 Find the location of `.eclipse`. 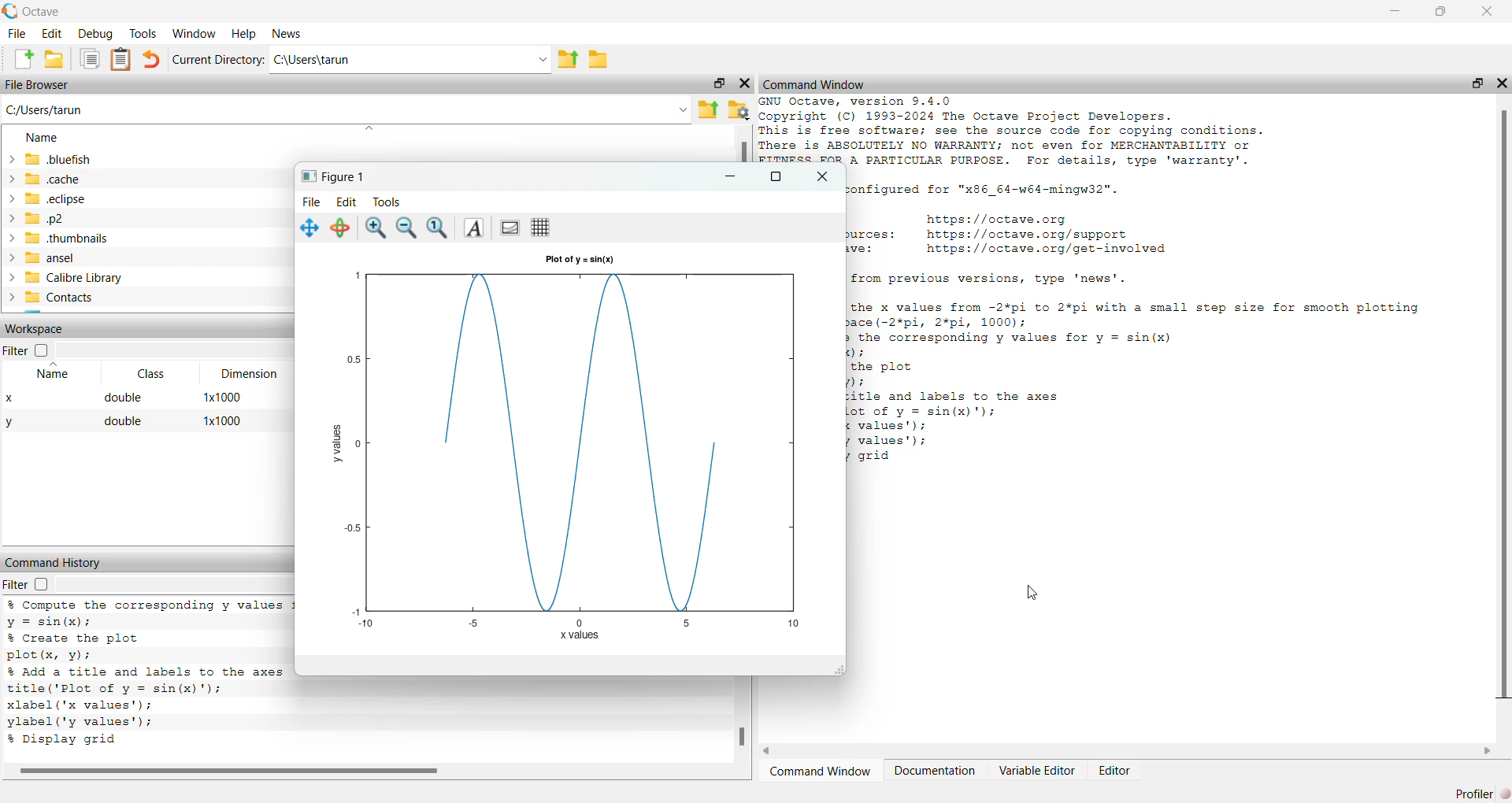

.eclipse is located at coordinates (50, 199).